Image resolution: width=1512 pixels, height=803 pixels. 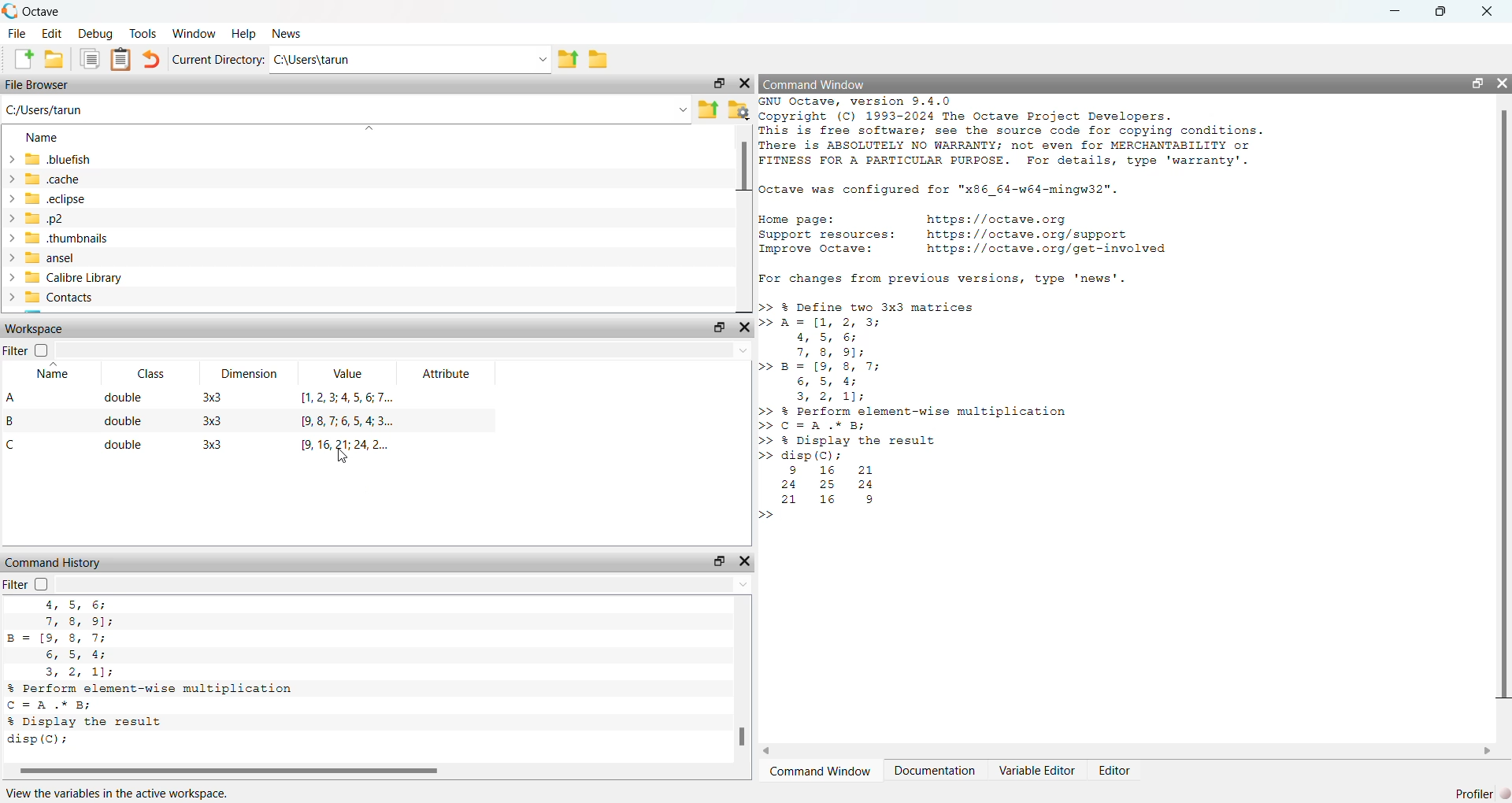 What do you see at coordinates (202, 445) in the screenshot?
I see `C double 3x3 9,16, 21; 24, 2...` at bounding box center [202, 445].